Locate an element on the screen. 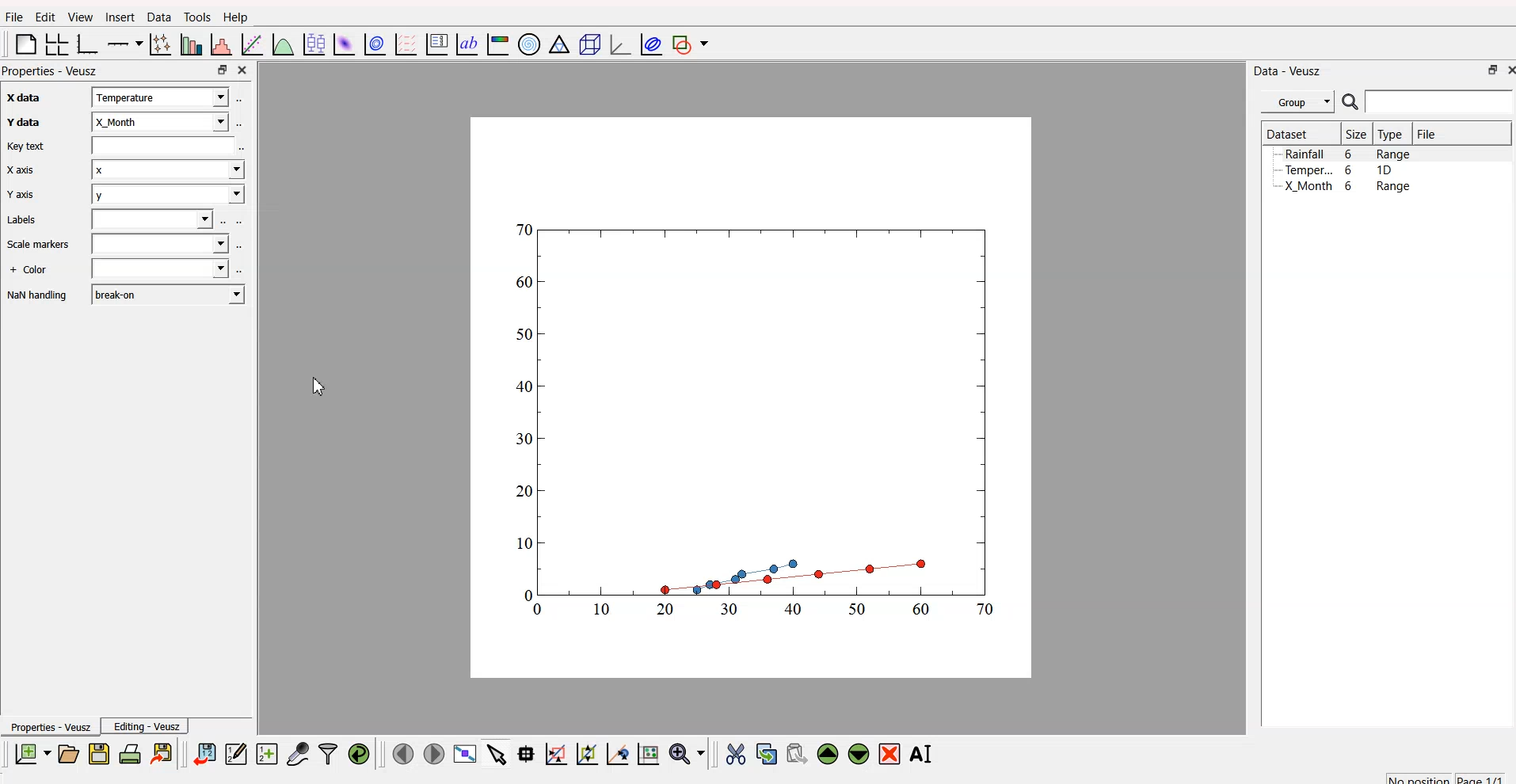  Rainfall 6 Range is located at coordinates (1350, 154).